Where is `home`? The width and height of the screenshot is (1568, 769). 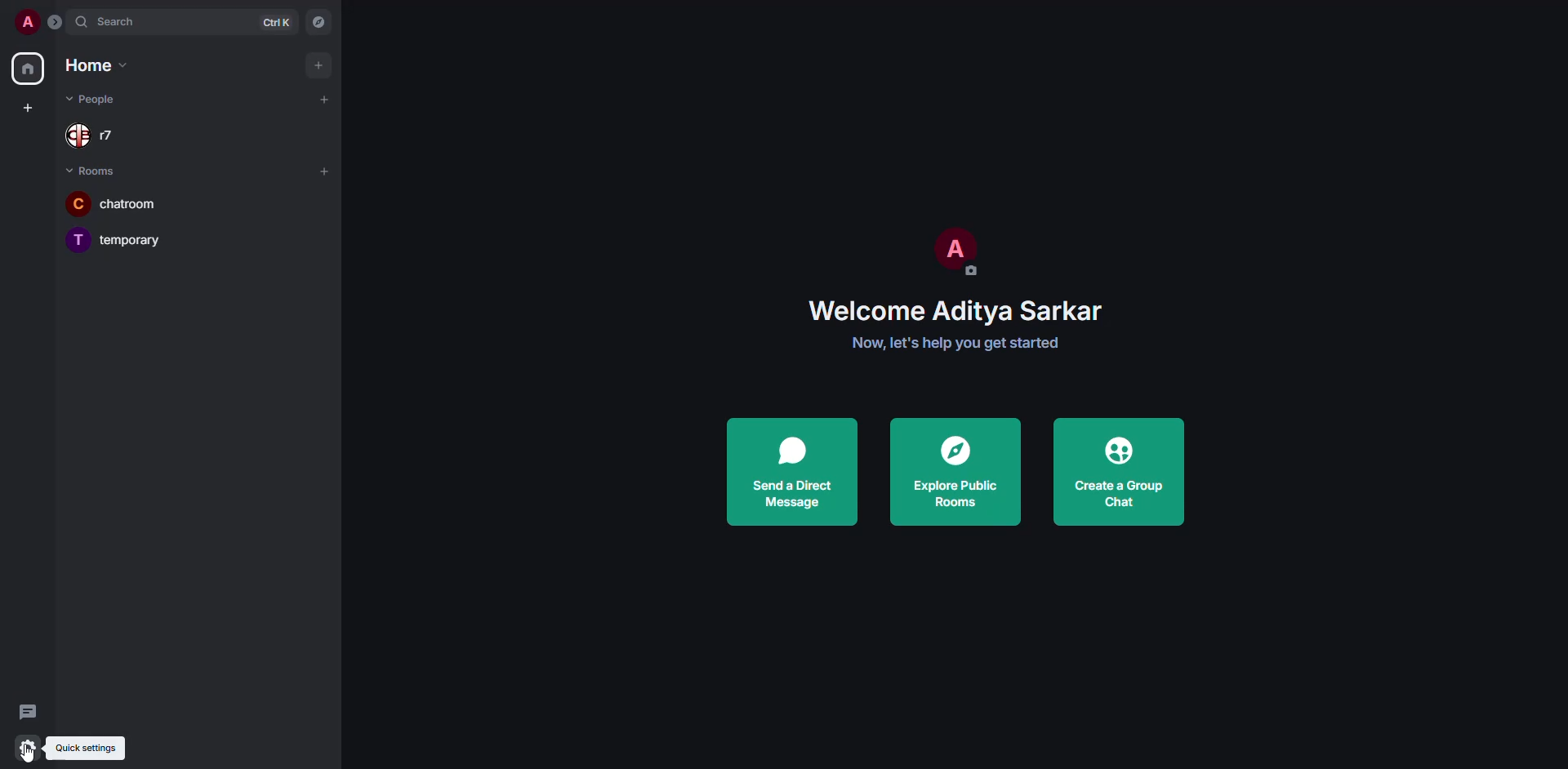 home is located at coordinates (28, 68).